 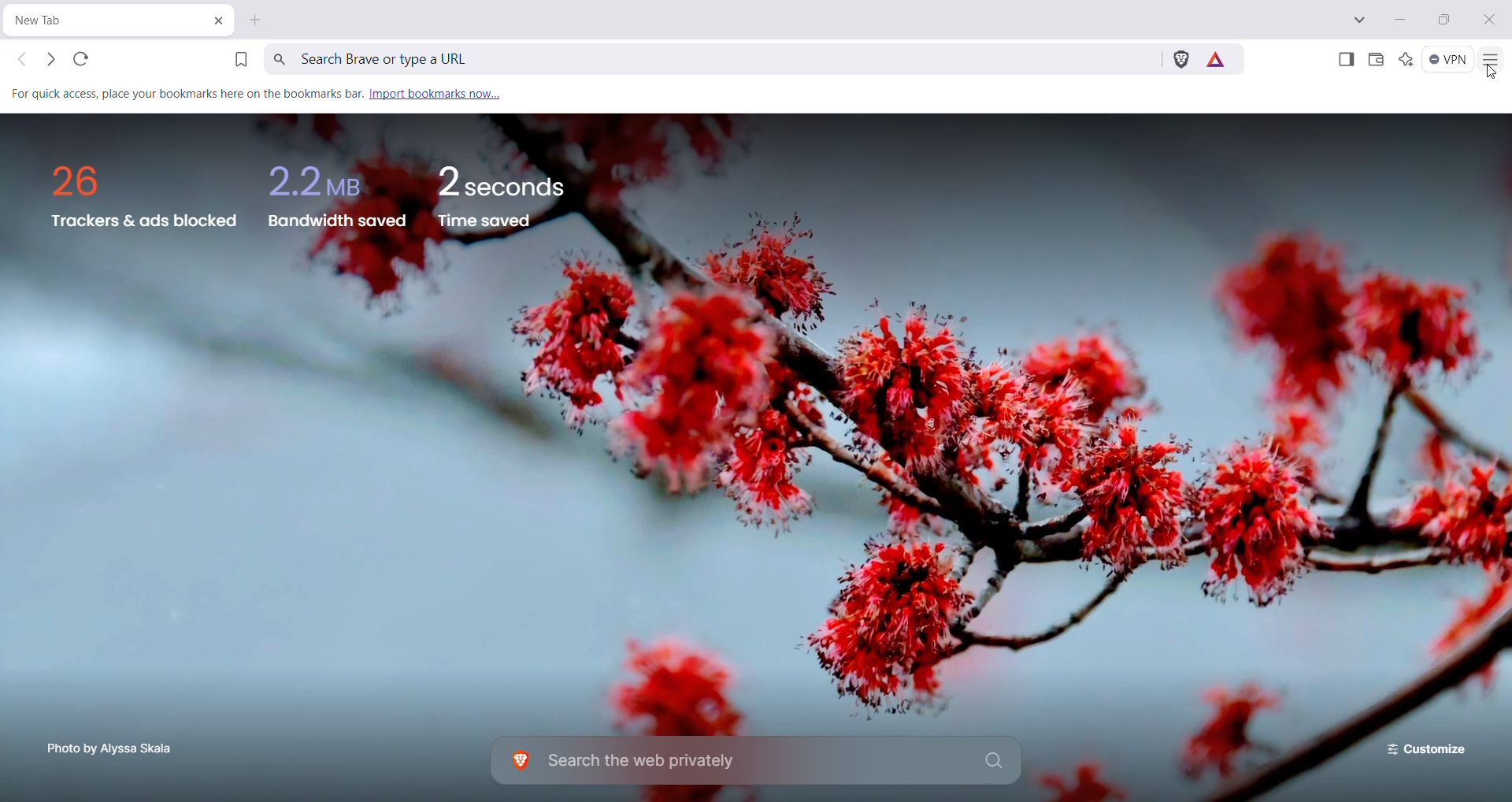 I want to click on 26 Trackers & ads blocked, so click(x=138, y=196).